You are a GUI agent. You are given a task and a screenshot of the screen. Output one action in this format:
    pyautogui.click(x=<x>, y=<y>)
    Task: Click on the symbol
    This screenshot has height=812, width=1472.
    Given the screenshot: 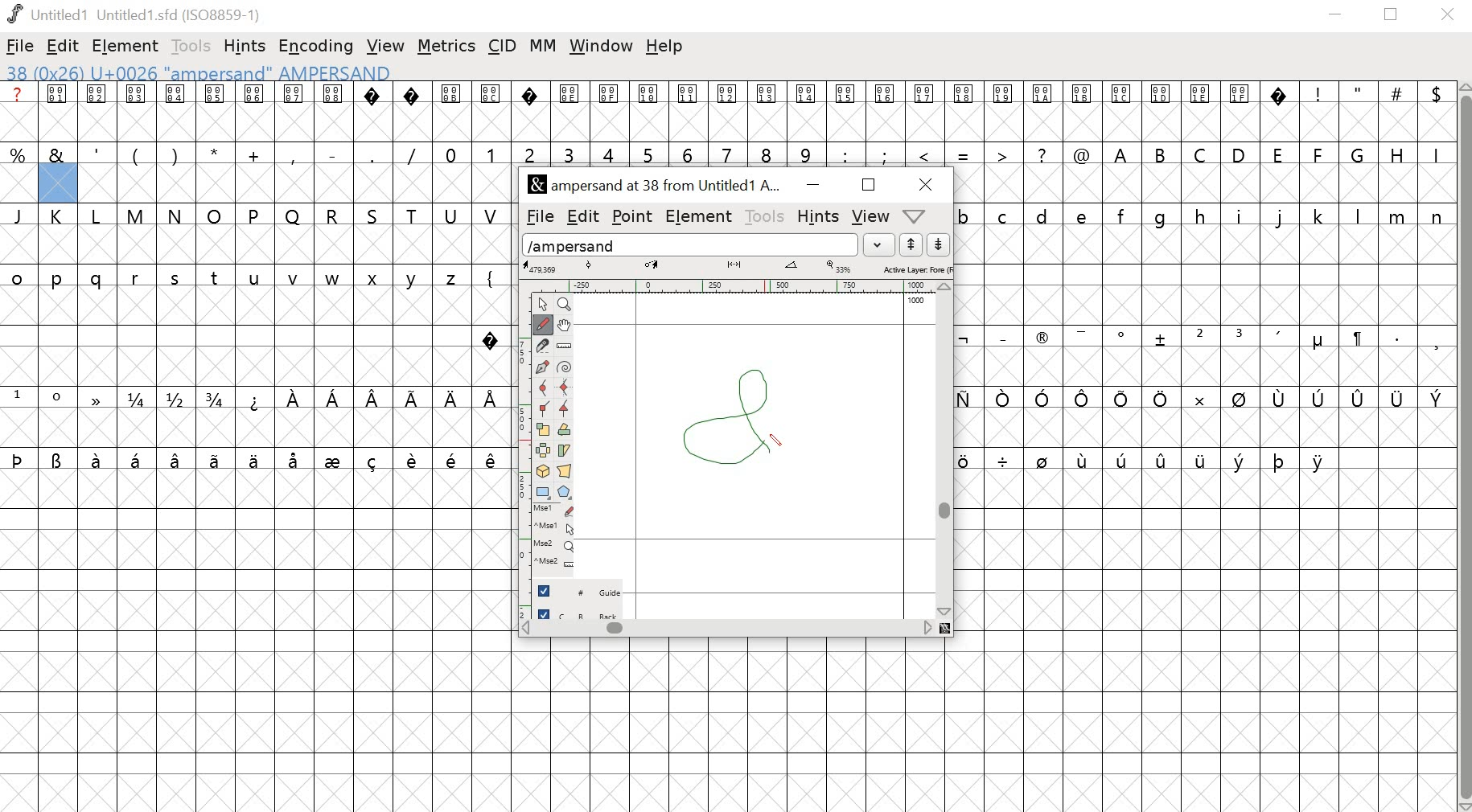 What is the action you would take?
    pyautogui.click(x=1197, y=397)
    